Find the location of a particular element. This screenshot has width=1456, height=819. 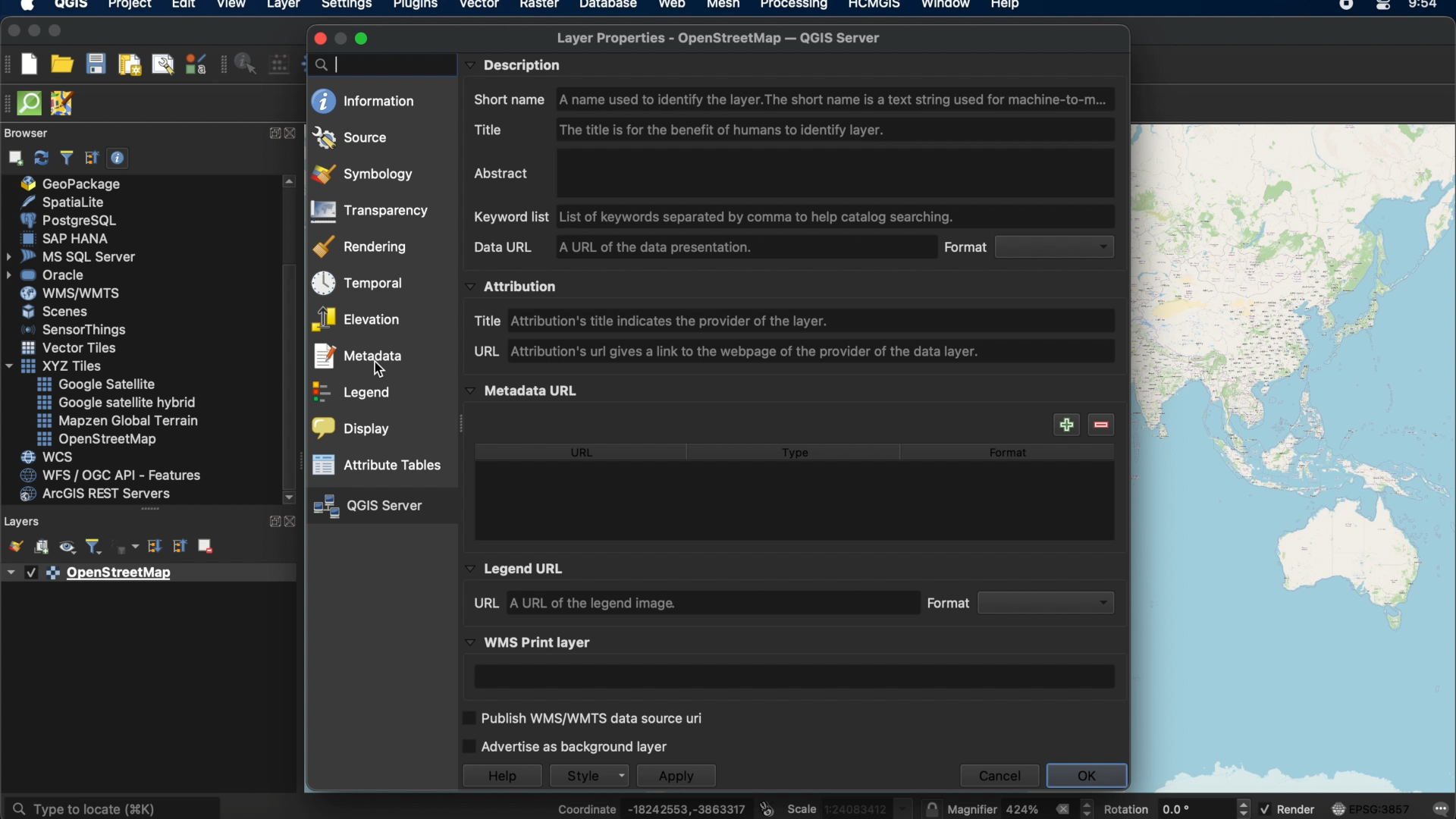

help is located at coordinates (498, 774).